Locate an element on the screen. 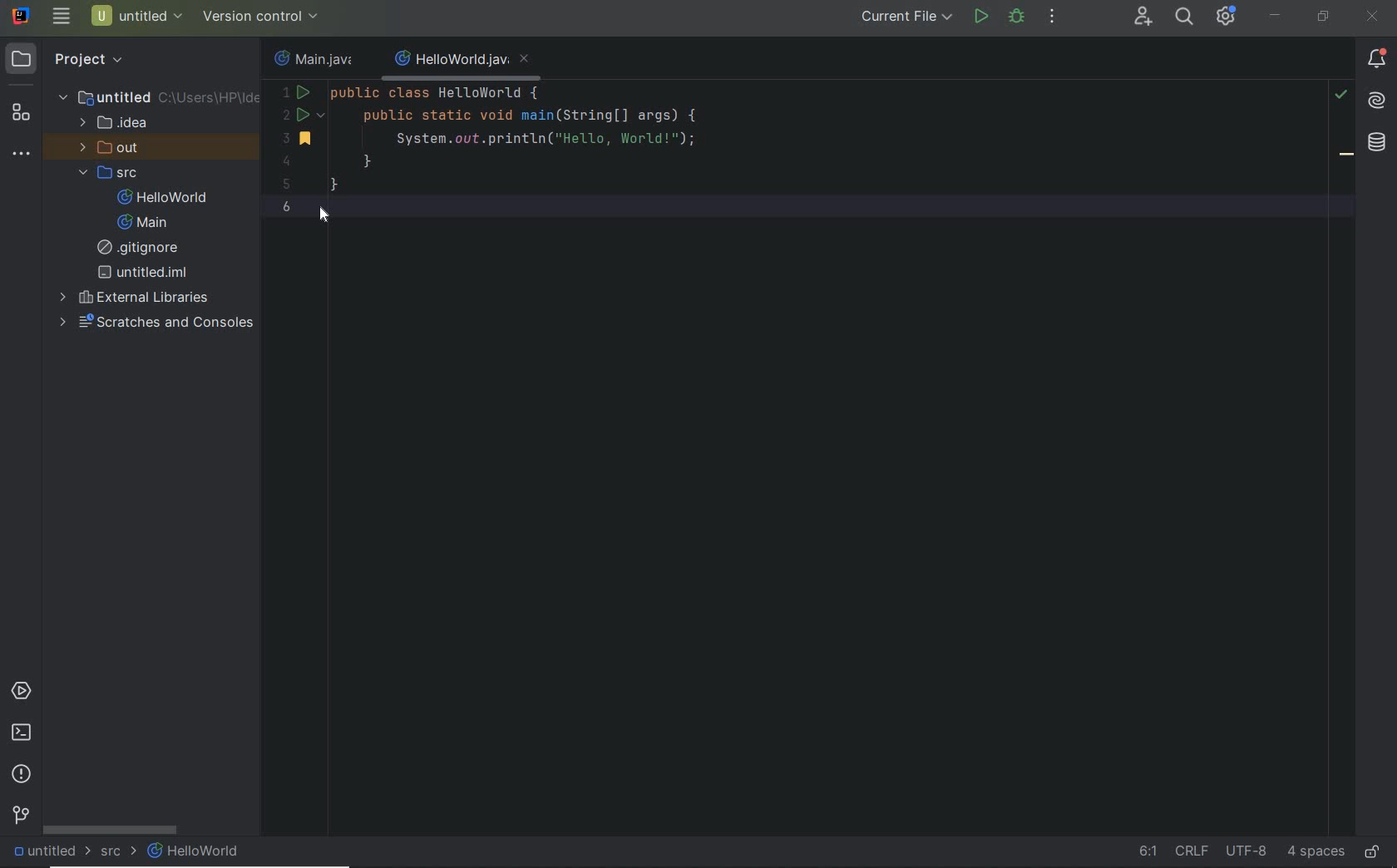  project is located at coordinates (72, 60).